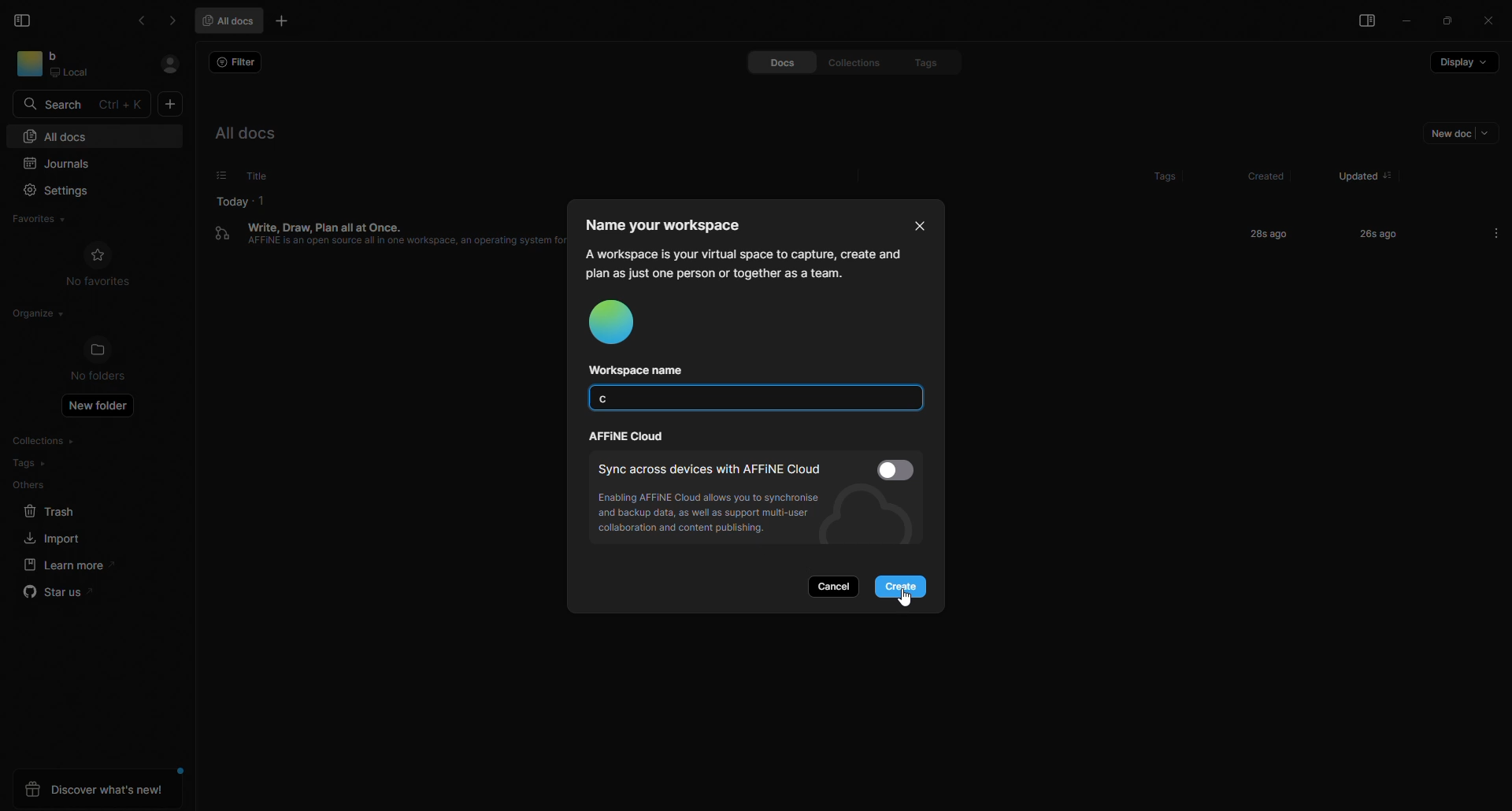 This screenshot has width=1512, height=811. What do you see at coordinates (710, 468) in the screenshot?
I see `sync` at bounding box center [710, 468].